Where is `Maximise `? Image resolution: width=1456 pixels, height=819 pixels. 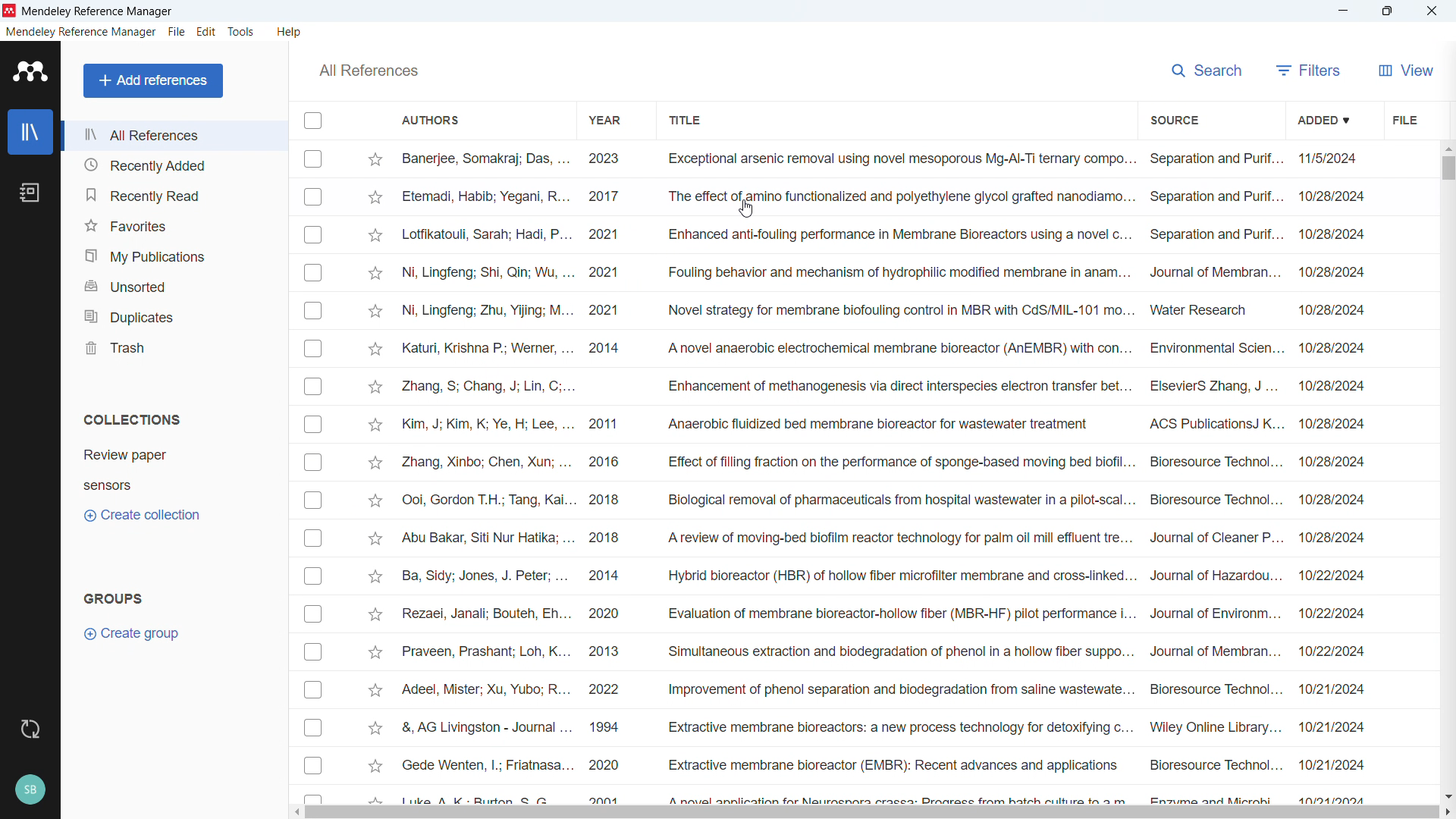
Maximise  is located at coordinates (1386, 12).